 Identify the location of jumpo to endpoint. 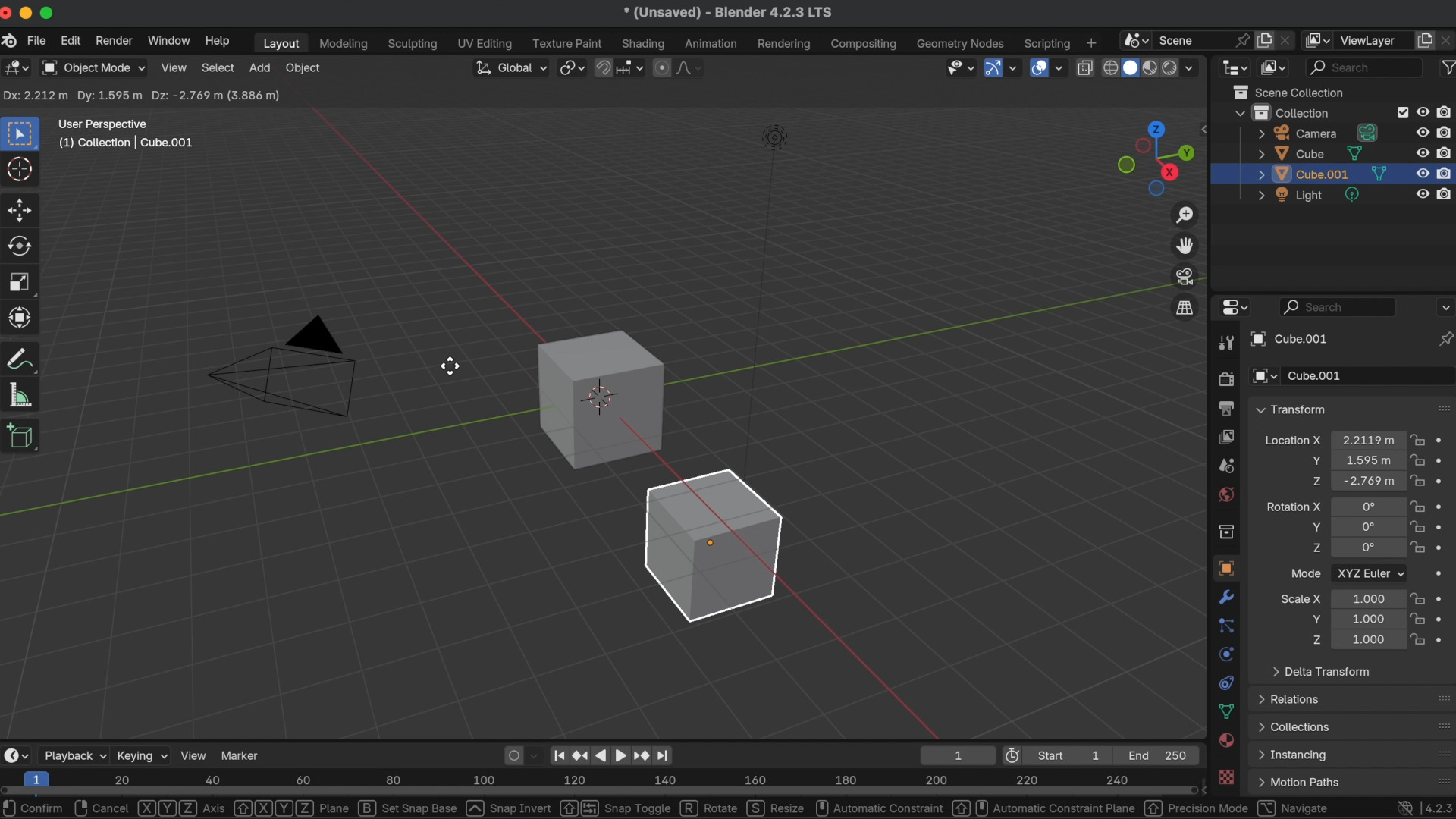
(560, 753).